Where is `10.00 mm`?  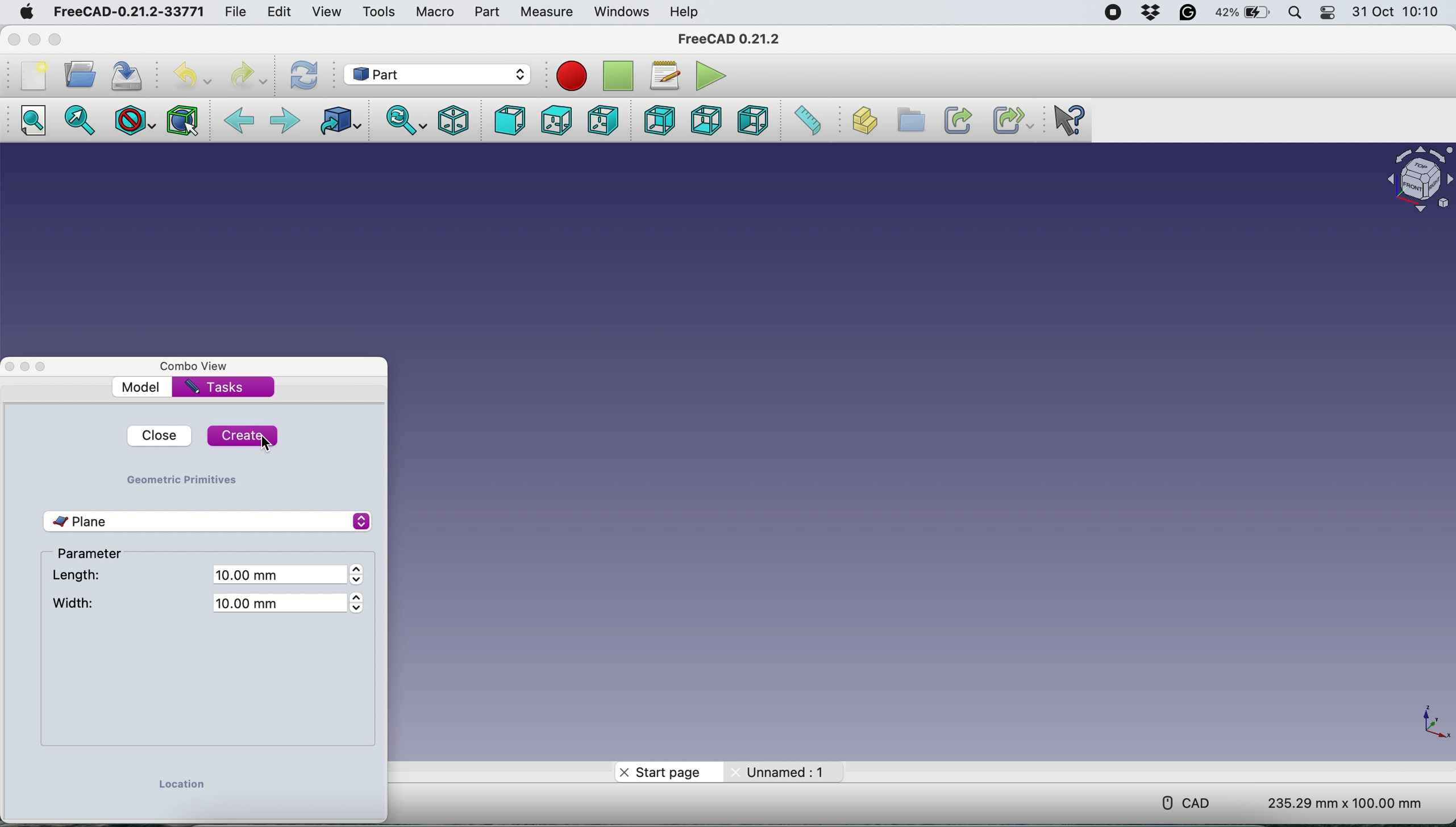
10.00 mm is located at coordinates (286, 606).